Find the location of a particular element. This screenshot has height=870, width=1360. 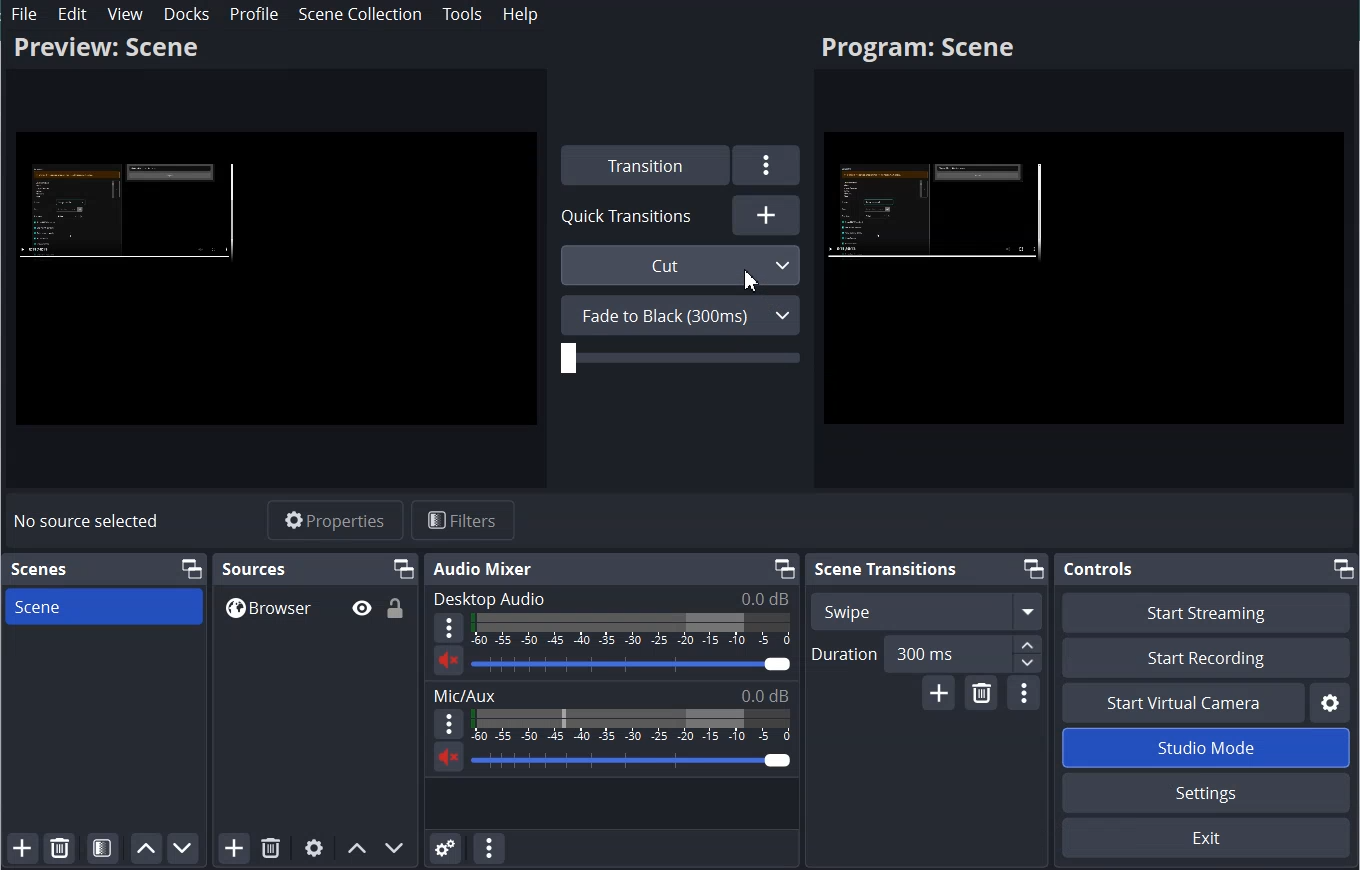

Scene Collection is located at coordinates (360, 13).